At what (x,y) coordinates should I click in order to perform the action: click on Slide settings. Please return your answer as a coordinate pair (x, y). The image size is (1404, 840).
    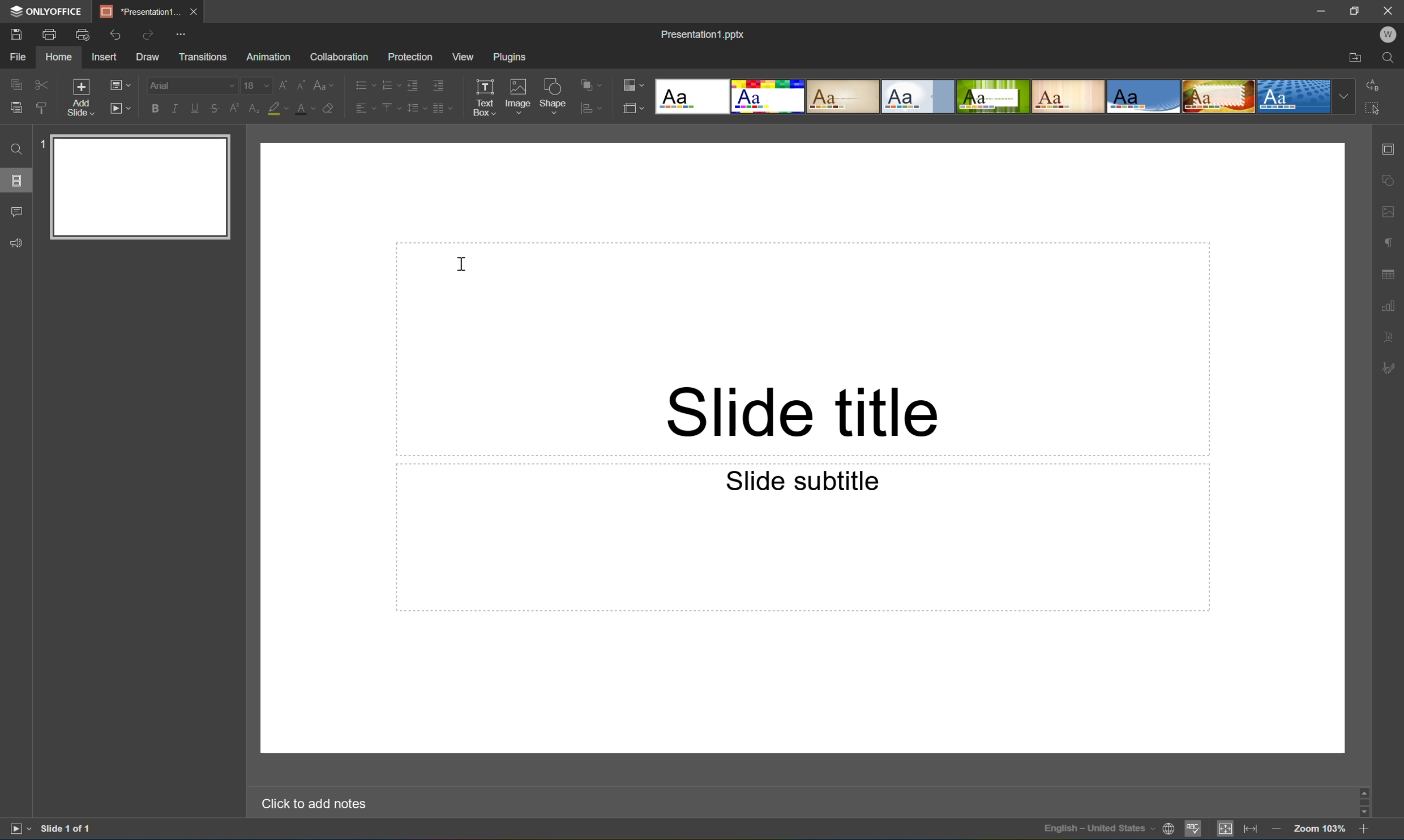
    Looking at the image, I should click on (1392, 149).